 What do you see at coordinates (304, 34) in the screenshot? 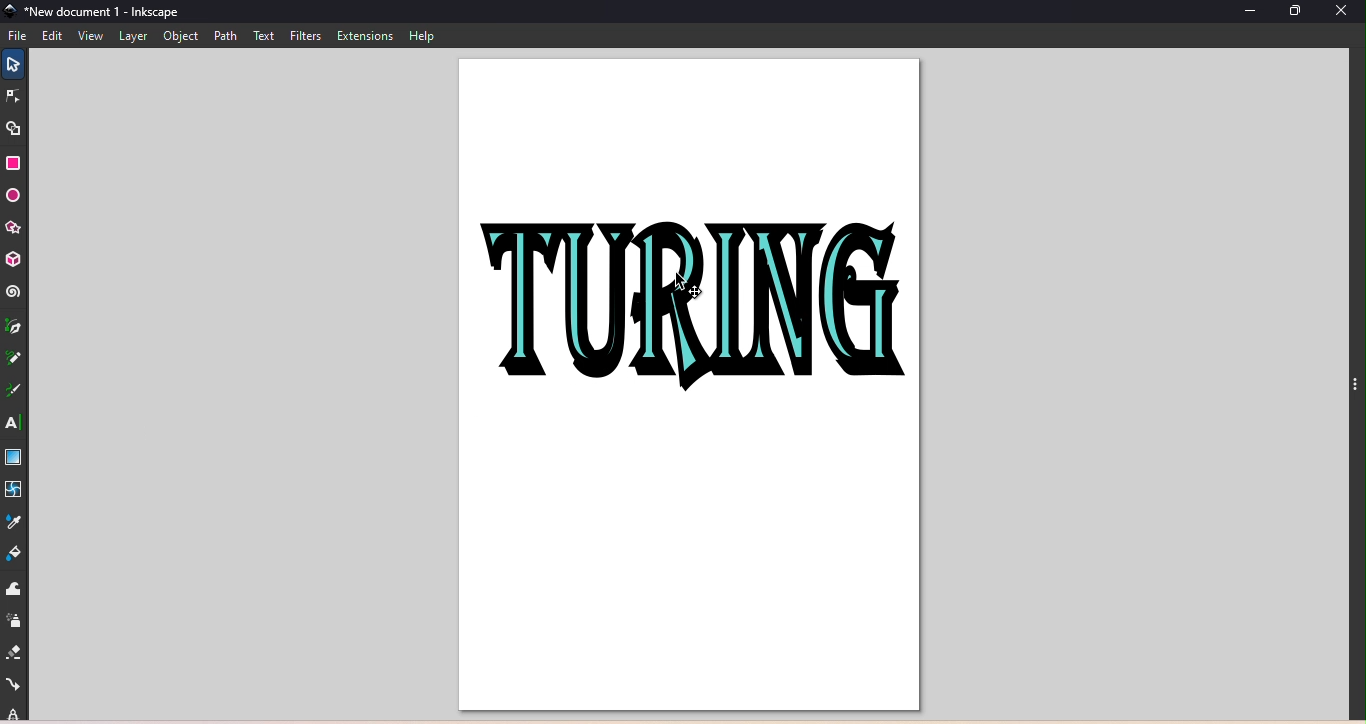
I see `Filters` at bounding box center [304, 34].